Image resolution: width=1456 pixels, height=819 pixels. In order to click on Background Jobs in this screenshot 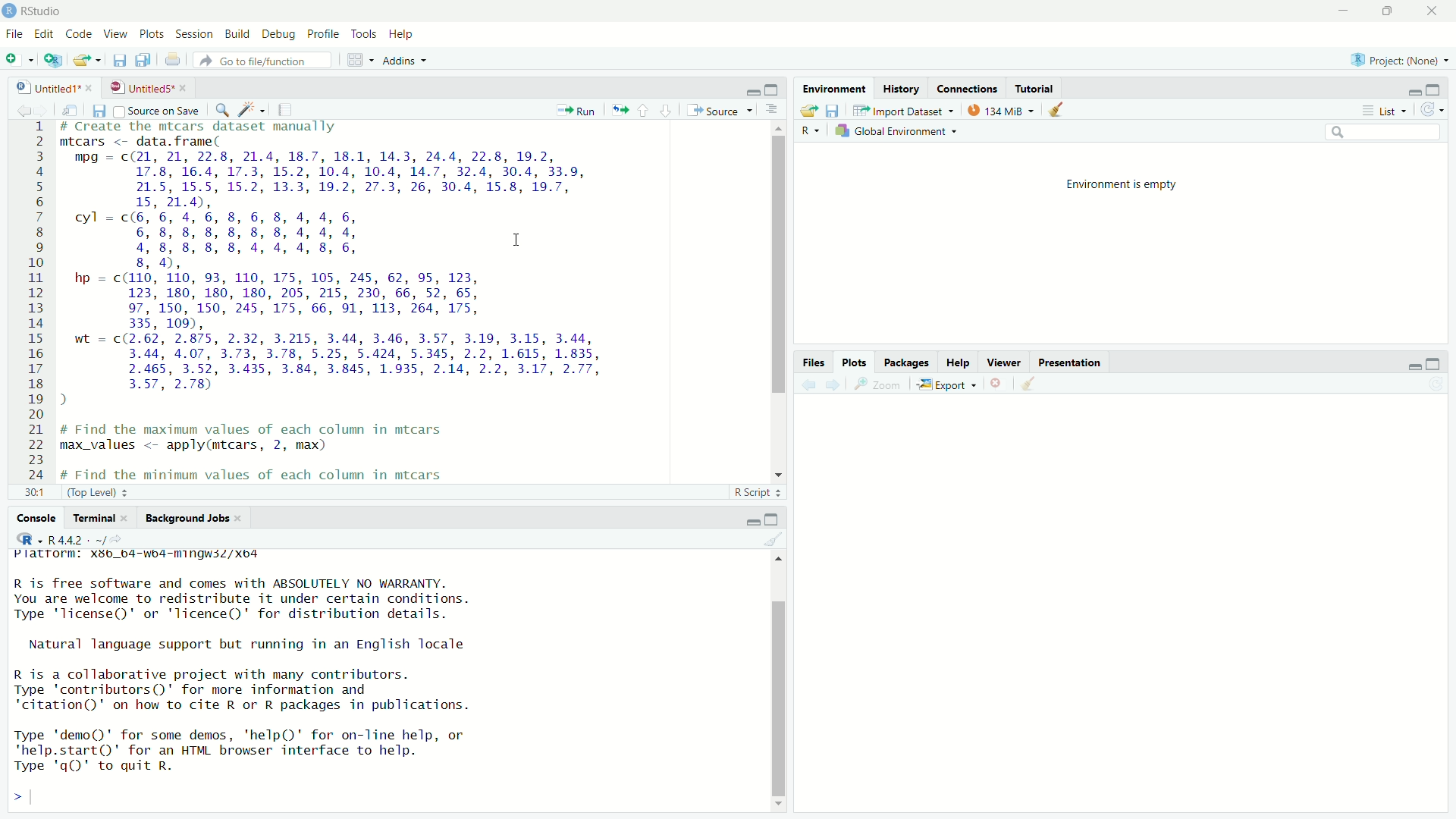, I will do `click(186, 519)`.